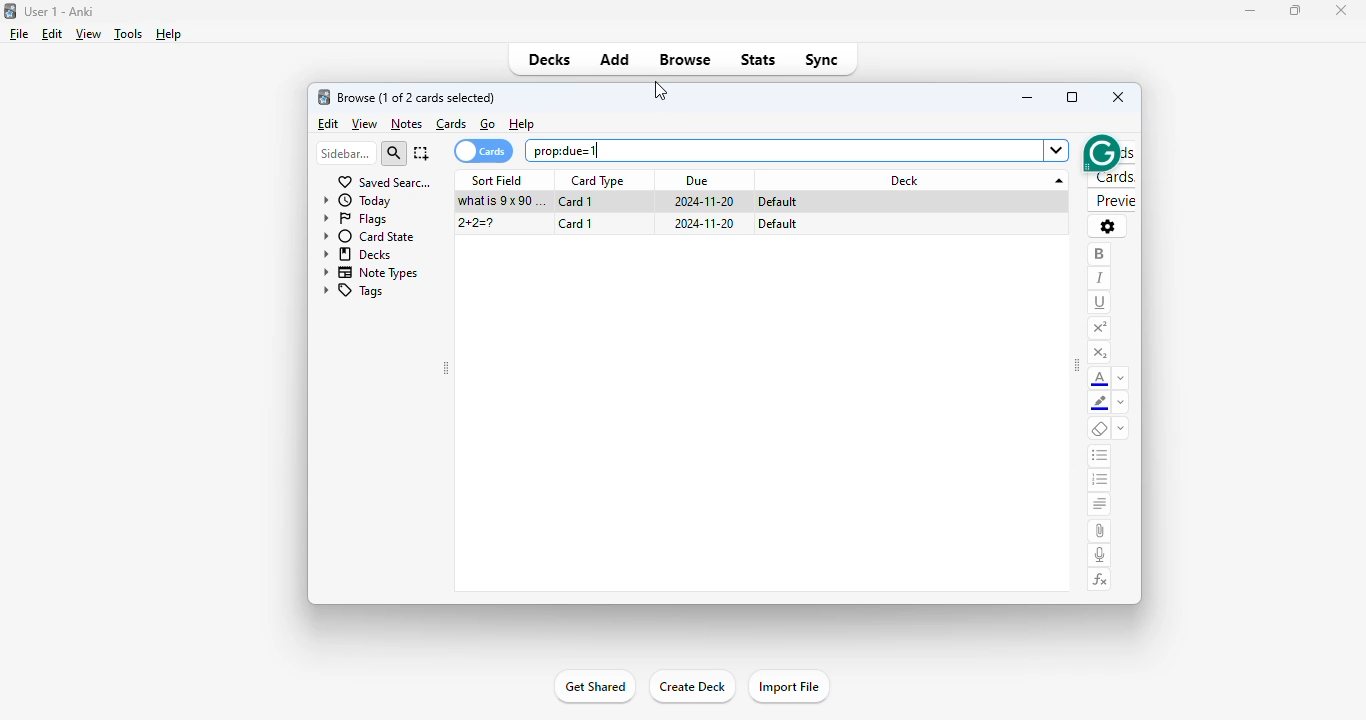 This screenshot has width=1366, height=720. I want to click on options, so click(1108, 227).